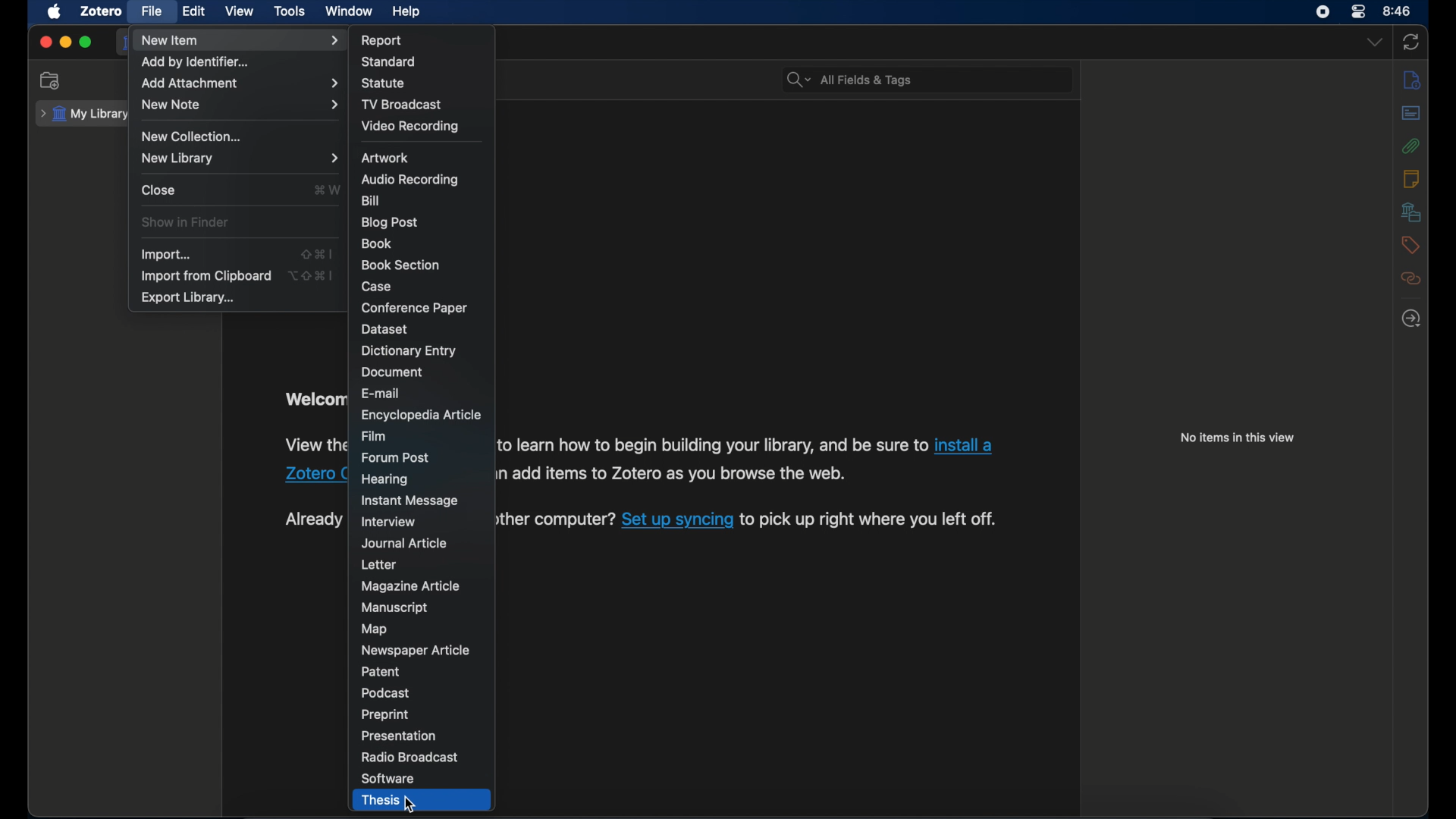 The height and width of the screenshot is (819, 1456). Describe the element at coordinates (314, 475) in the screenshot. I see `Zotero connector link` at that location.